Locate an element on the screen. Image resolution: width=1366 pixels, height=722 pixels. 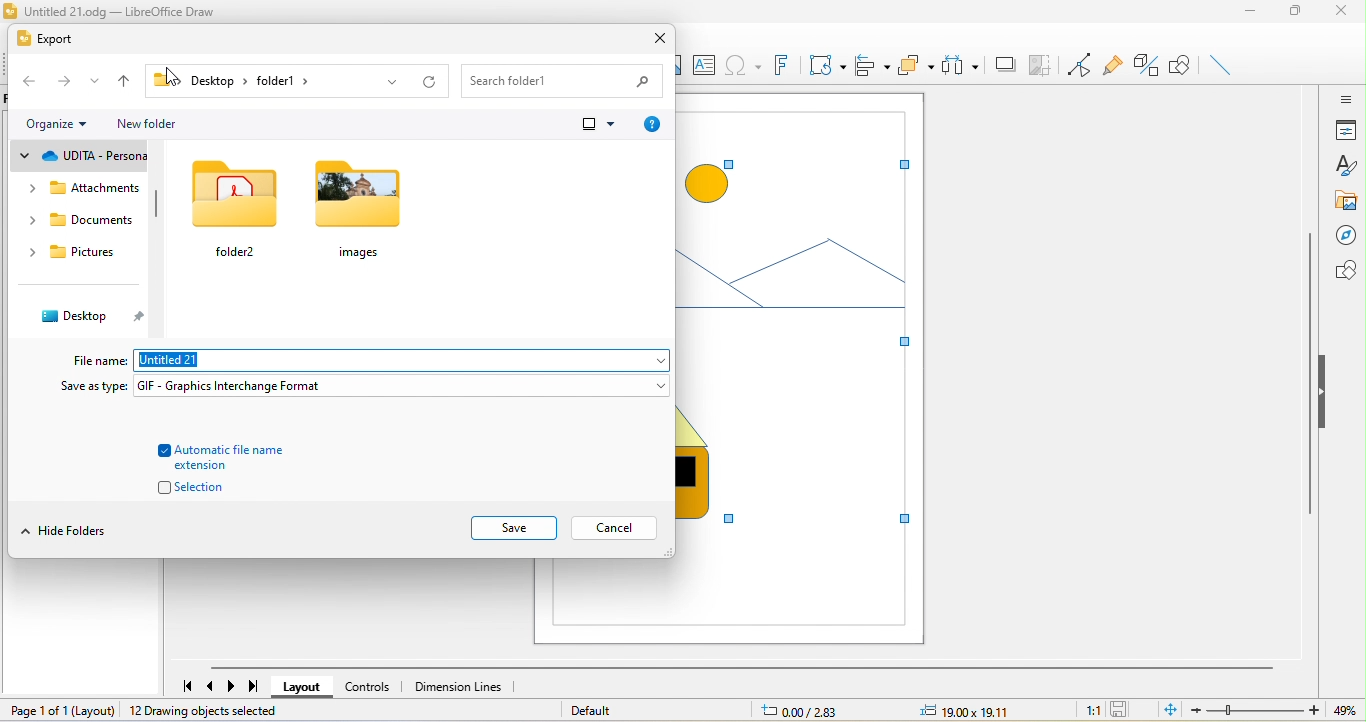
layout is located at coordinates (303, 688).